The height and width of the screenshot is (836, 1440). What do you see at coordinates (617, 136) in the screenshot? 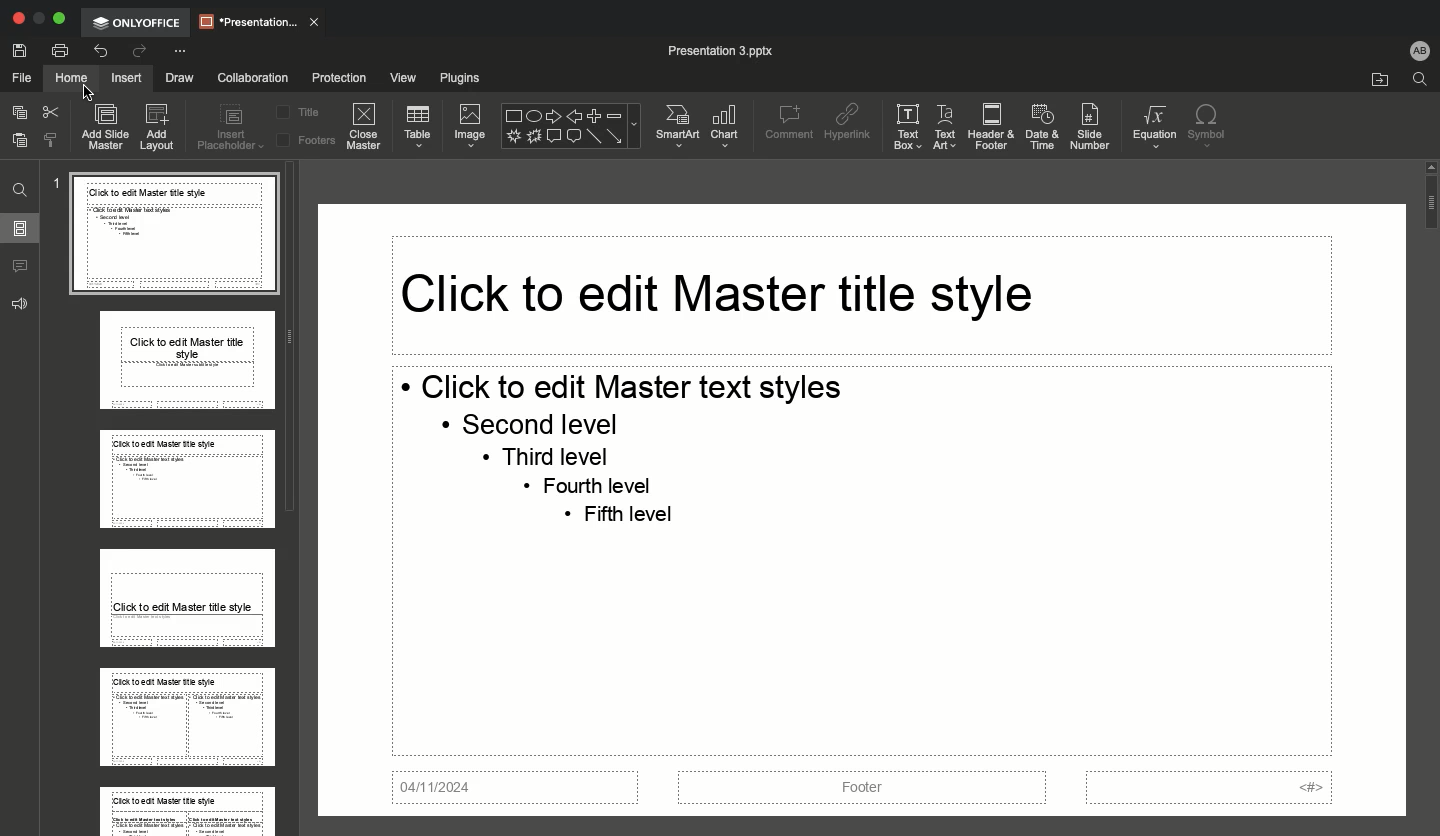
I see `Arrow` at bounding box center [617, 136].